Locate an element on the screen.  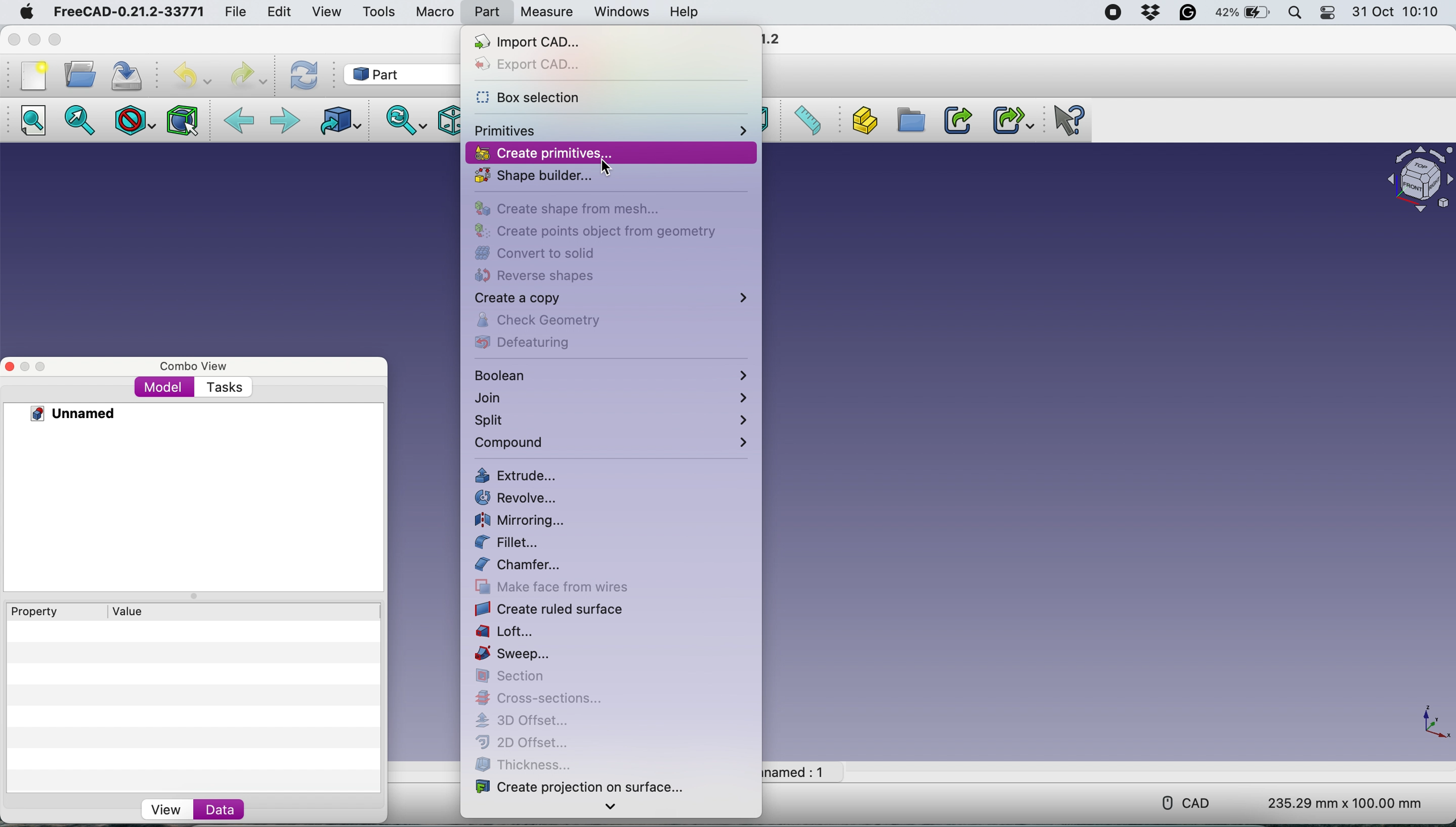
Spotlight Search is located at coordinates (1295, 12).